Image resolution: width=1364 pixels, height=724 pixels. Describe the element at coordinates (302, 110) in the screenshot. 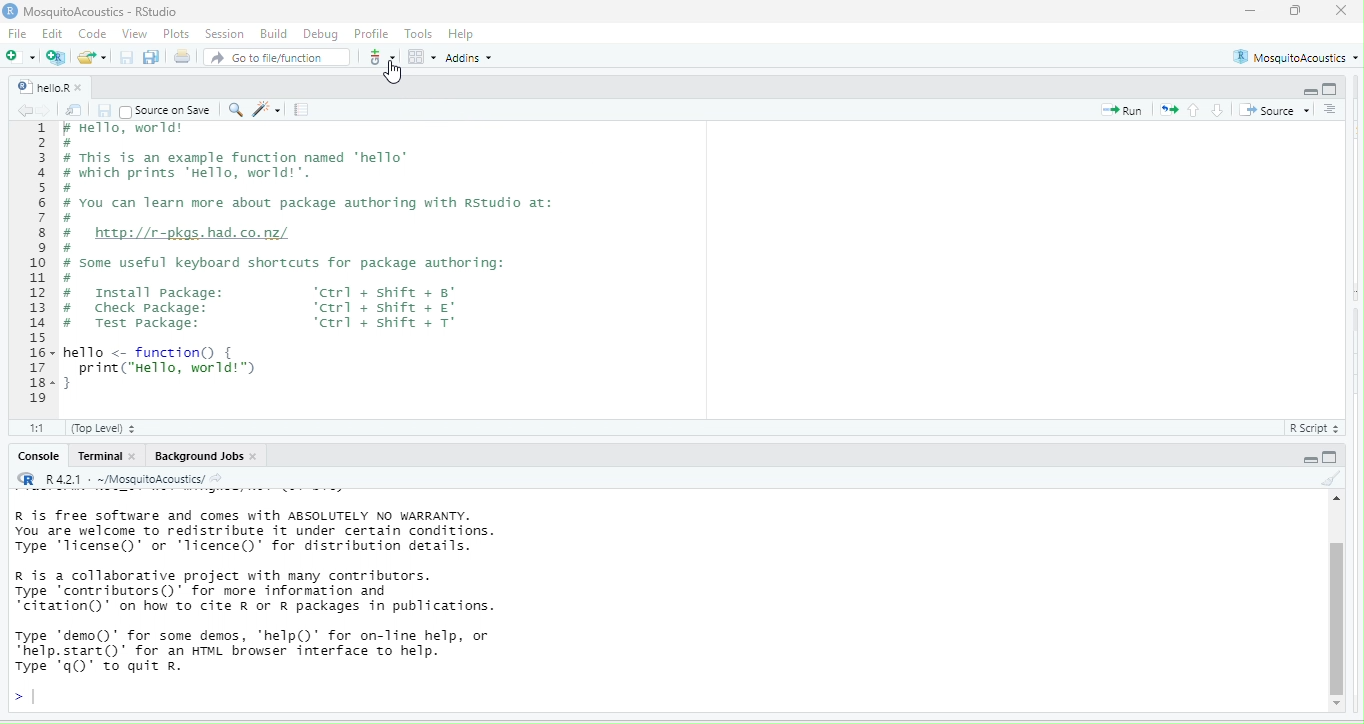

I see `compile report` at that location.